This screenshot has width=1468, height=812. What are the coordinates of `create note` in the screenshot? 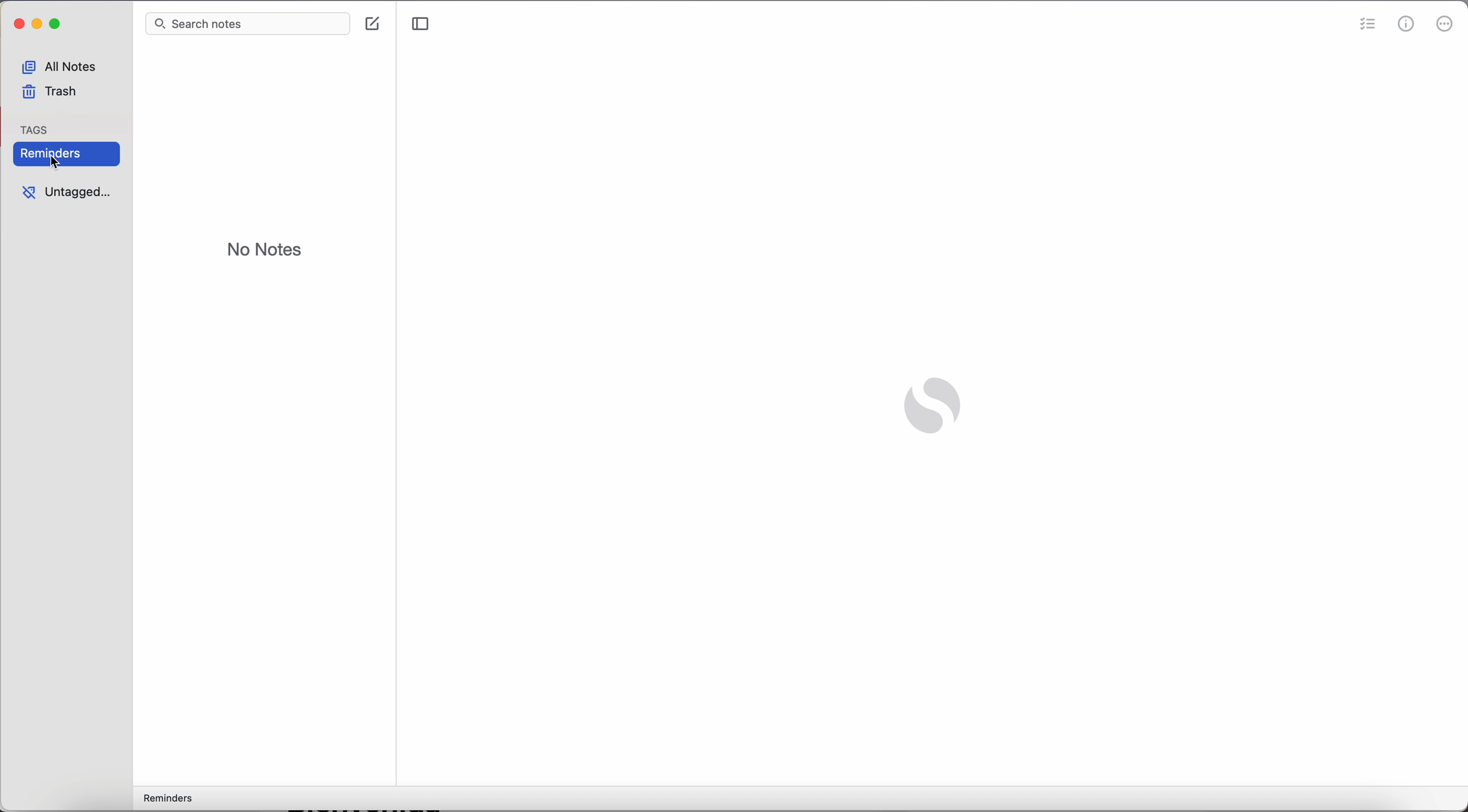 It's located at (374, 24).